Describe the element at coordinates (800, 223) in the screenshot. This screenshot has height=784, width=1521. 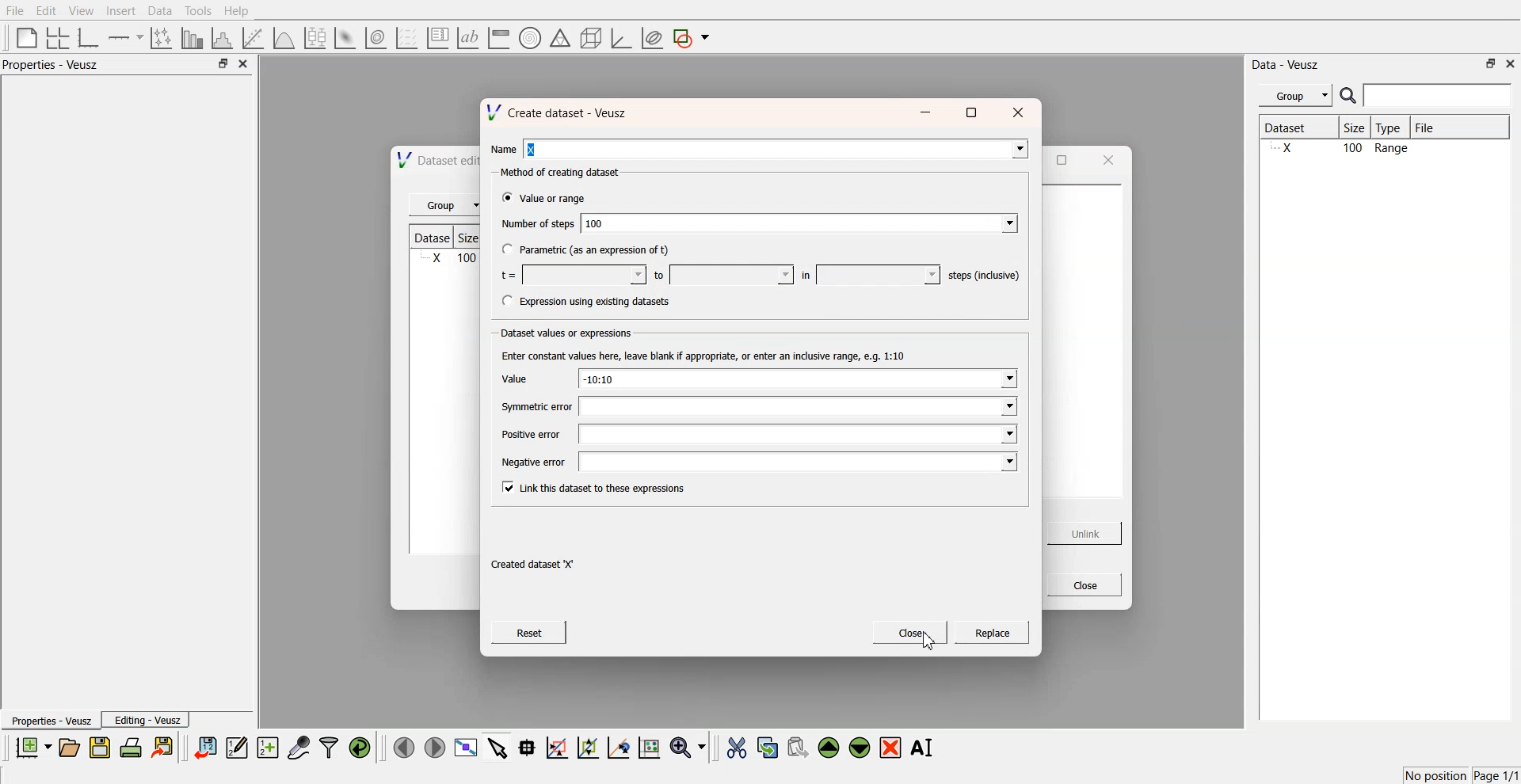
I see `100` at that location.